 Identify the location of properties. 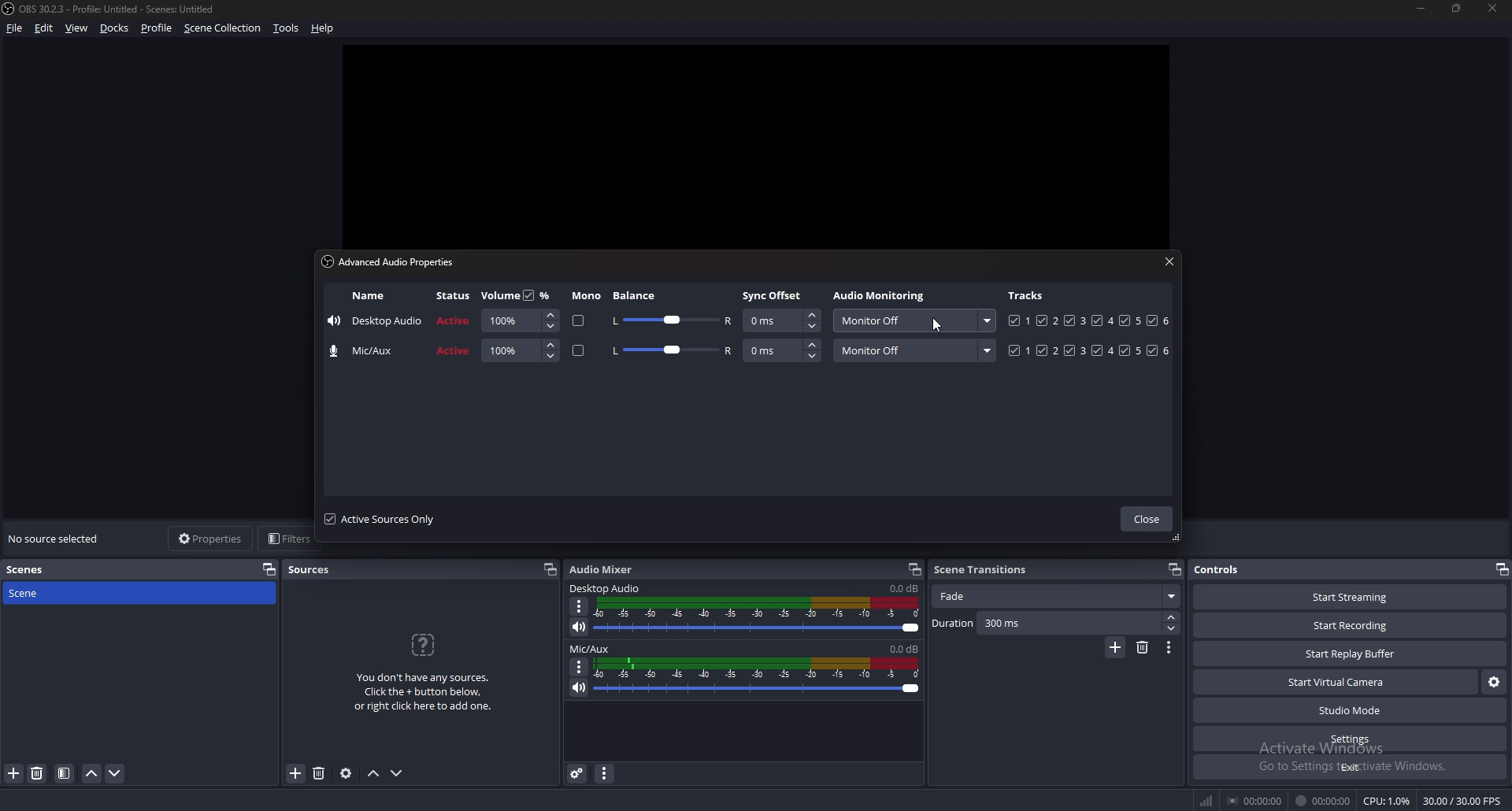
(209, 538).